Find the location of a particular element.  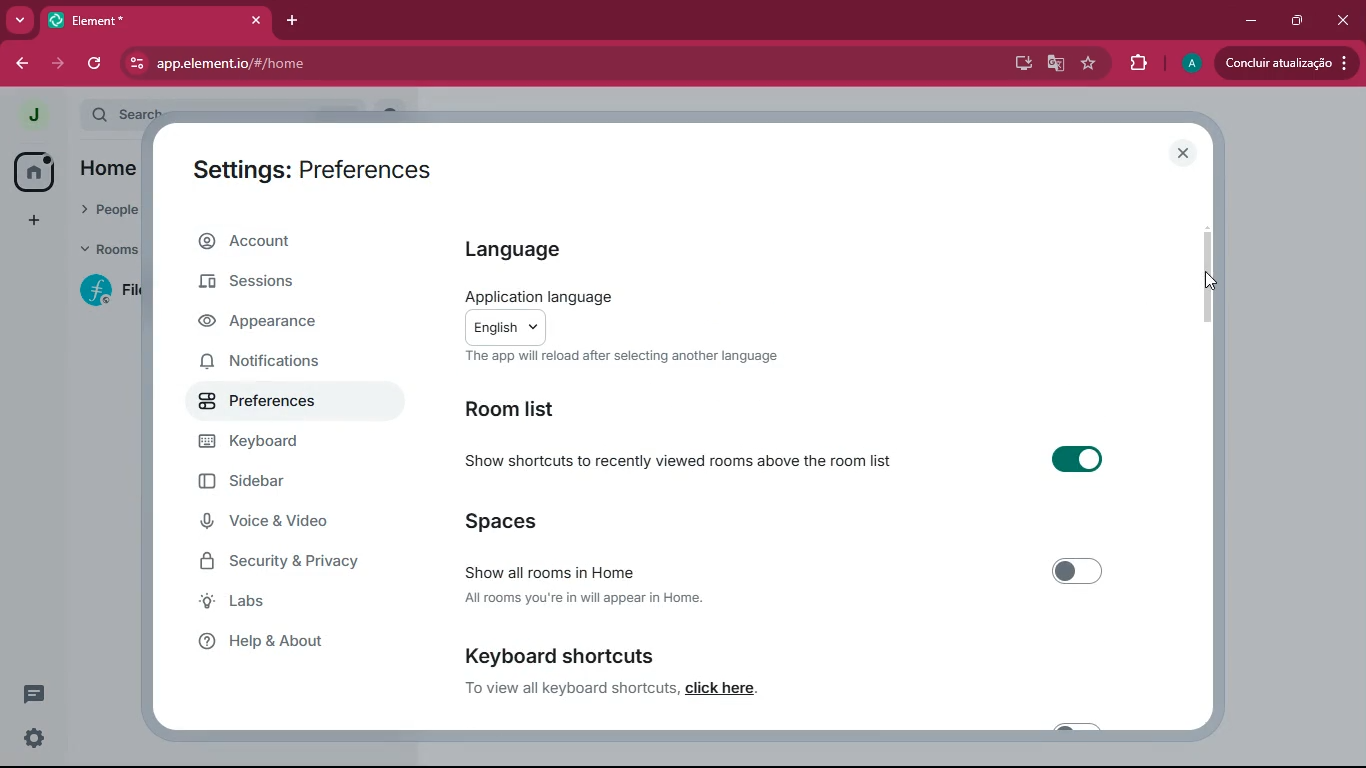

back is located at coordinates (21, 64).